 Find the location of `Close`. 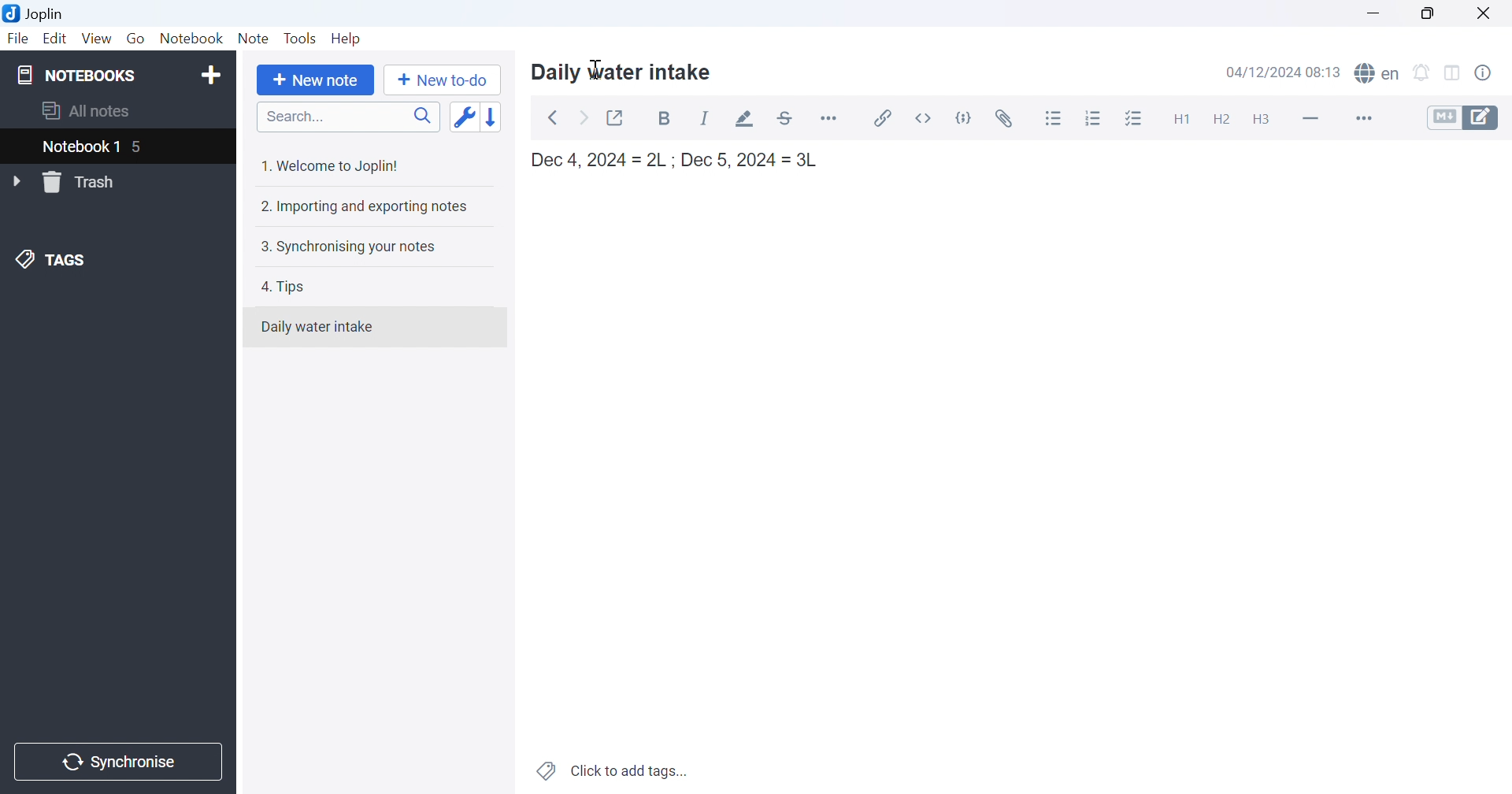

Close is located at coordinates (1489, 13).